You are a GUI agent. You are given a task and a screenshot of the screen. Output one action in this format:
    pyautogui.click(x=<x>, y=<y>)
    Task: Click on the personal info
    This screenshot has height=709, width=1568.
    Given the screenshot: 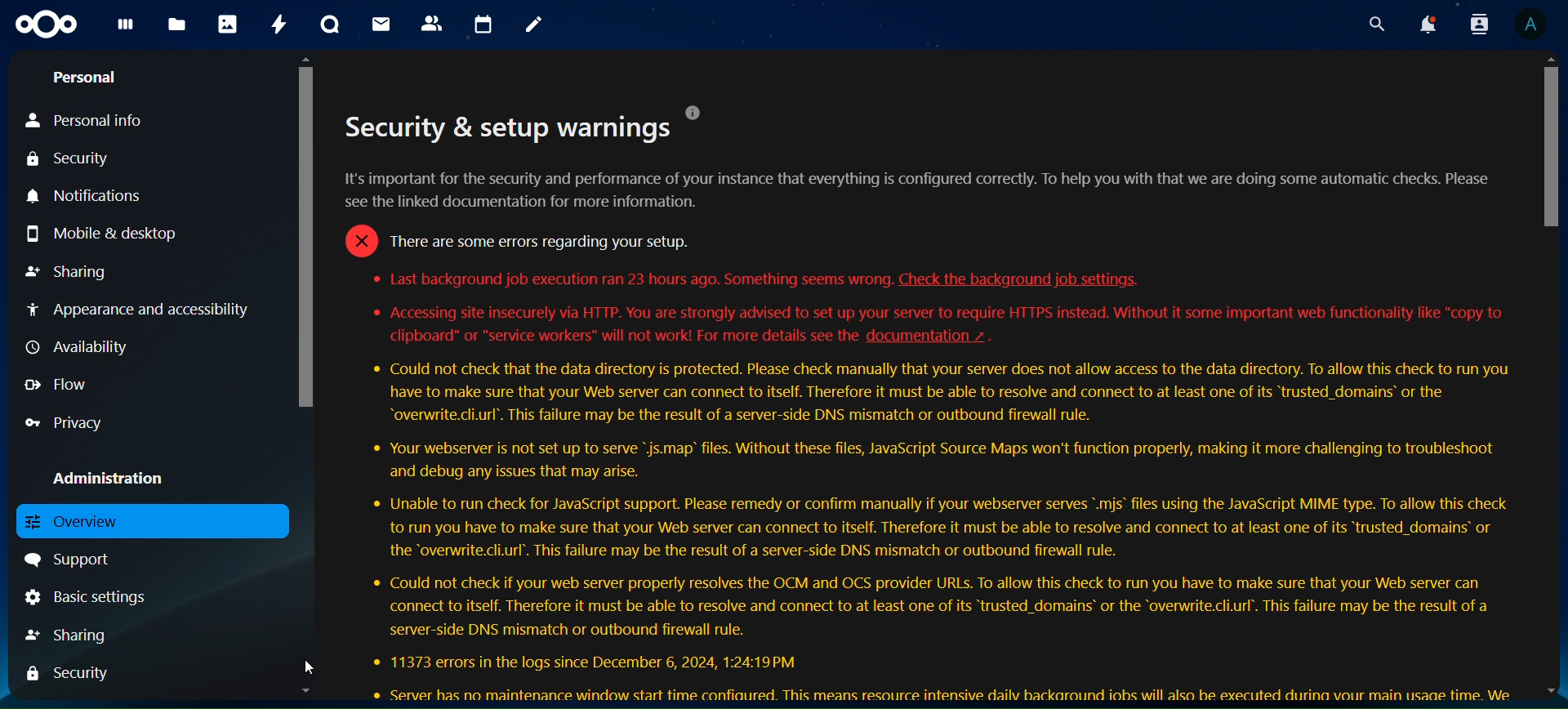 What is the action you would take?
    pyautogui.click(x=89, y=118)
    